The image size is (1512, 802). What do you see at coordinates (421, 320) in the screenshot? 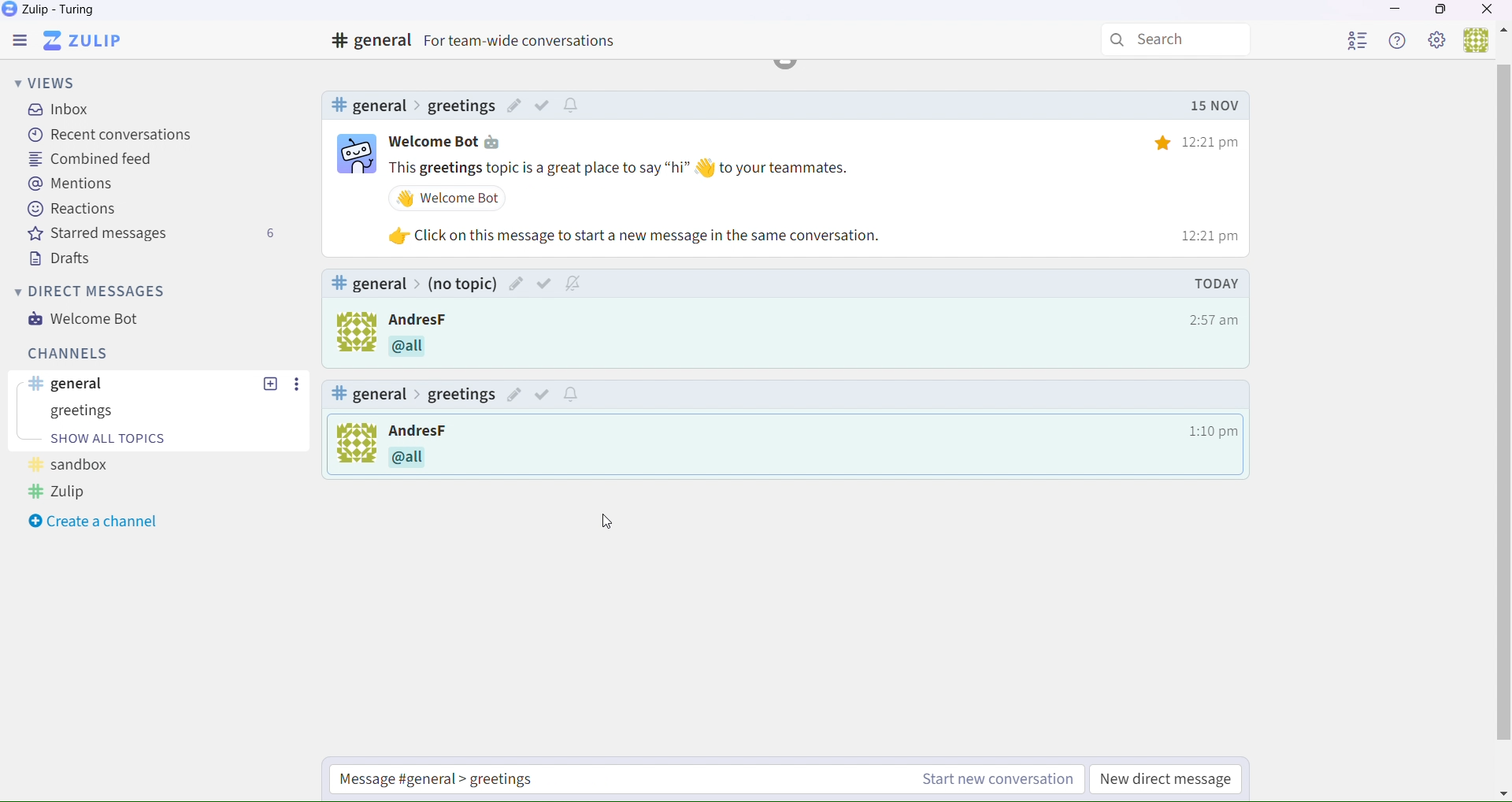
I see `` at bounding box center [421, 320].